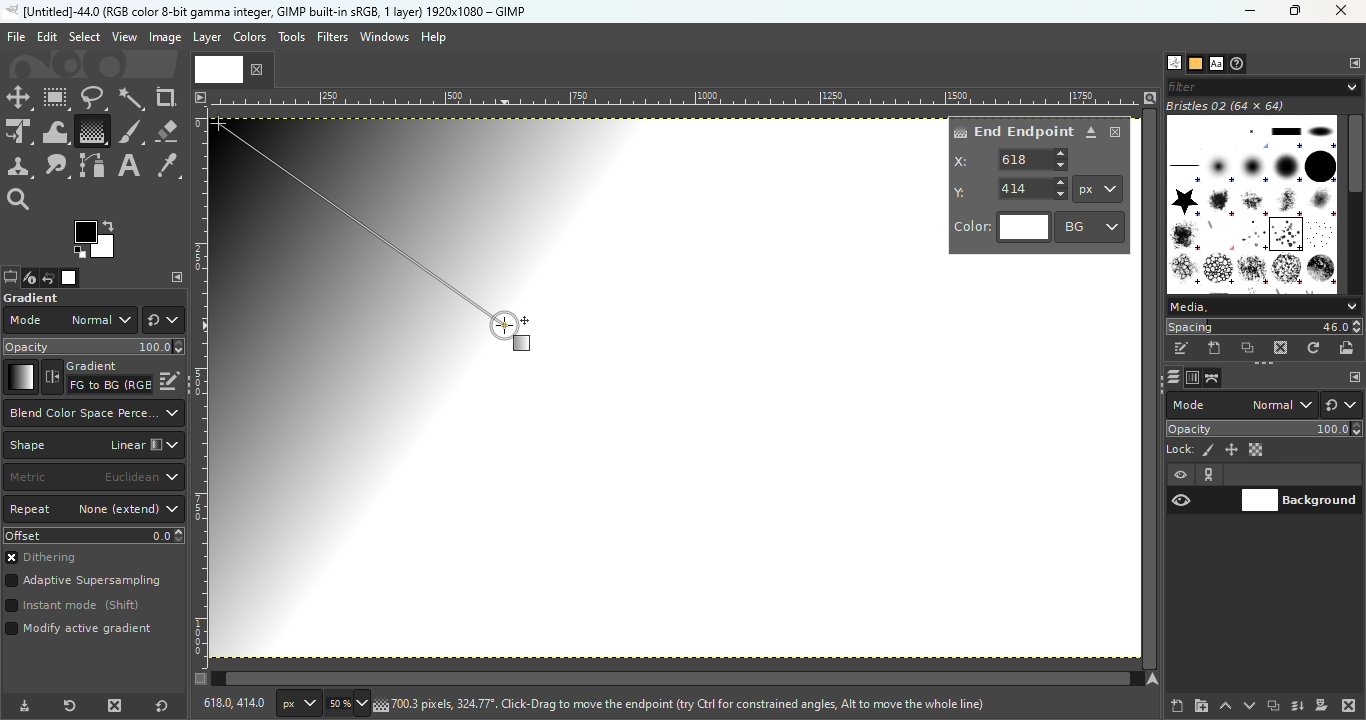 The image size is (1366, 720). What do you see at coordinates (206, 38) in the screenshot?
I see `Layer` at bounding box center [206, 38].